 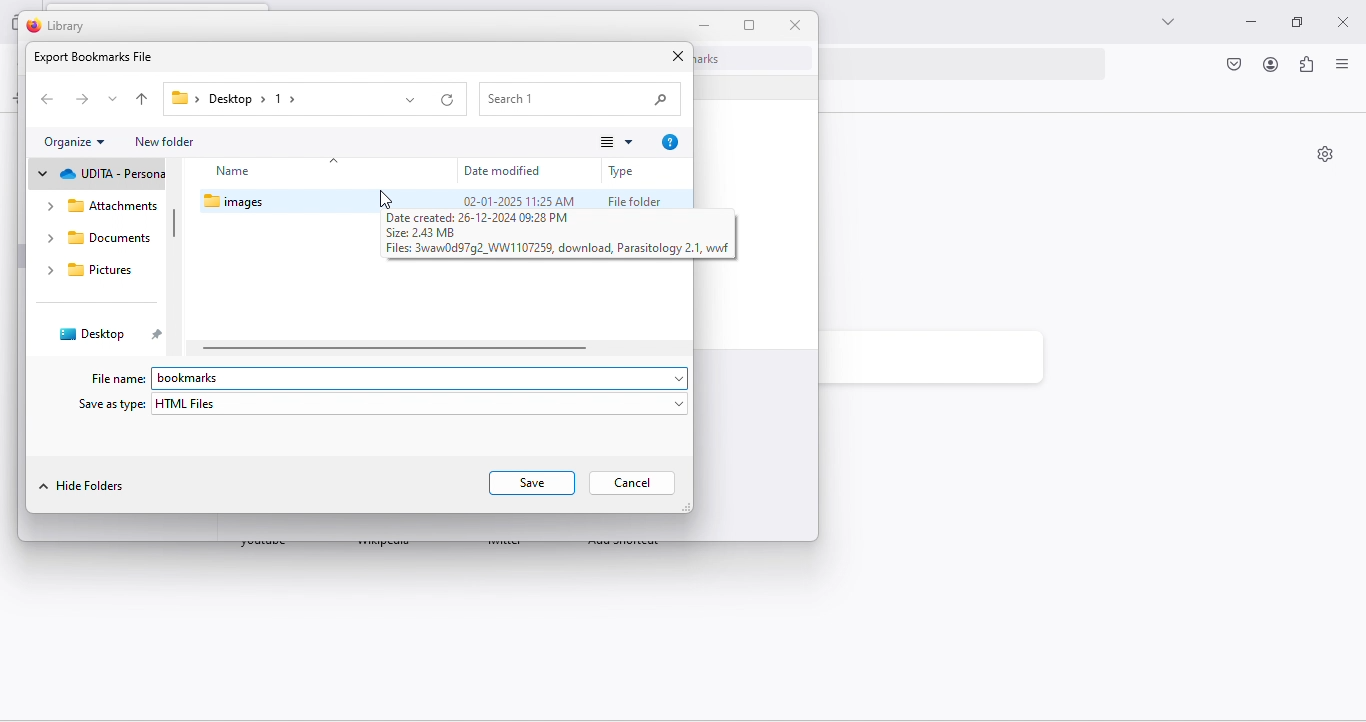 What do you see at coordinates (1307, 67) in the screenshot?
I see `extension` at bounding box center [1307, 67].